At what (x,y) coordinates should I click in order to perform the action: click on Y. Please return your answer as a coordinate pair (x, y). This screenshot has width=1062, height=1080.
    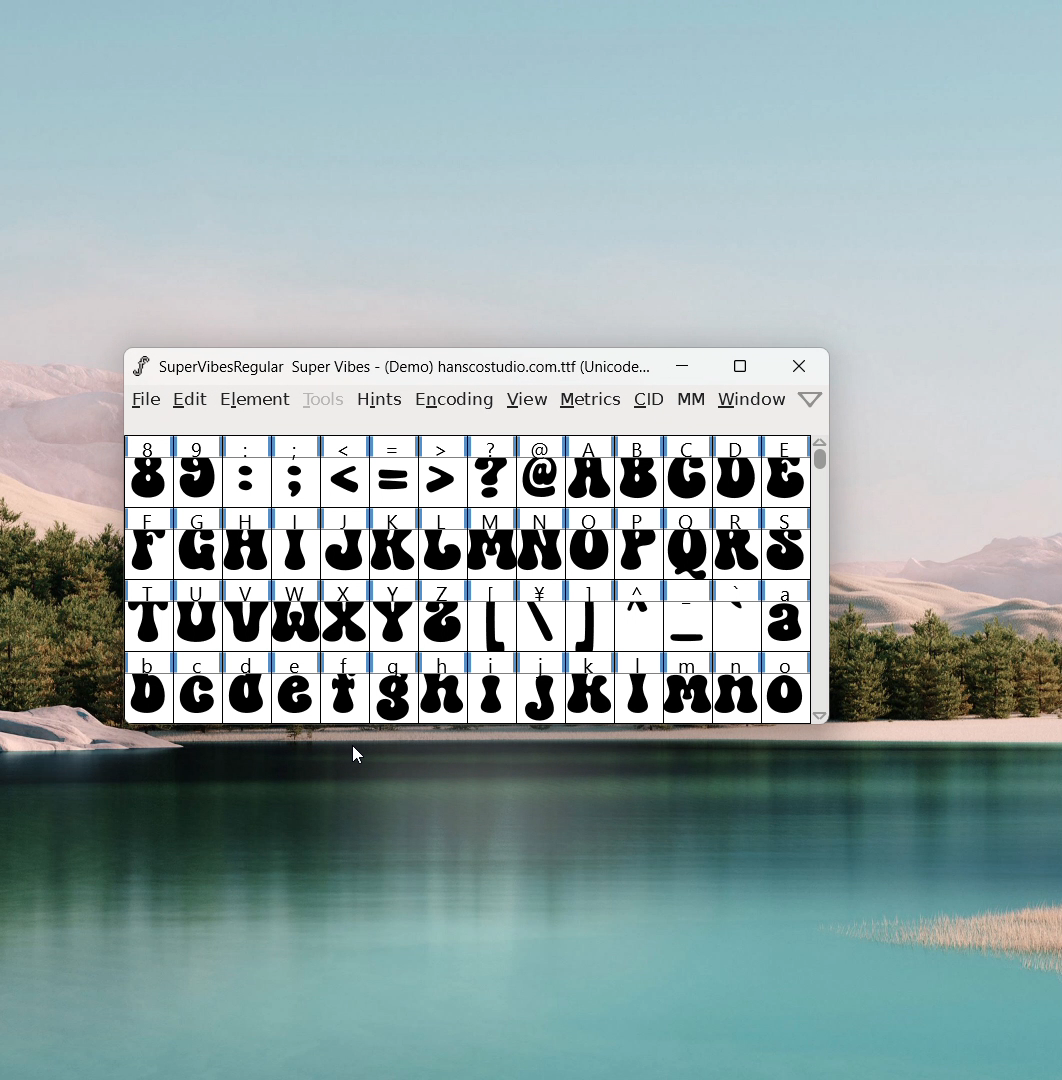
    Looking at the image, I should click on (395, 616).